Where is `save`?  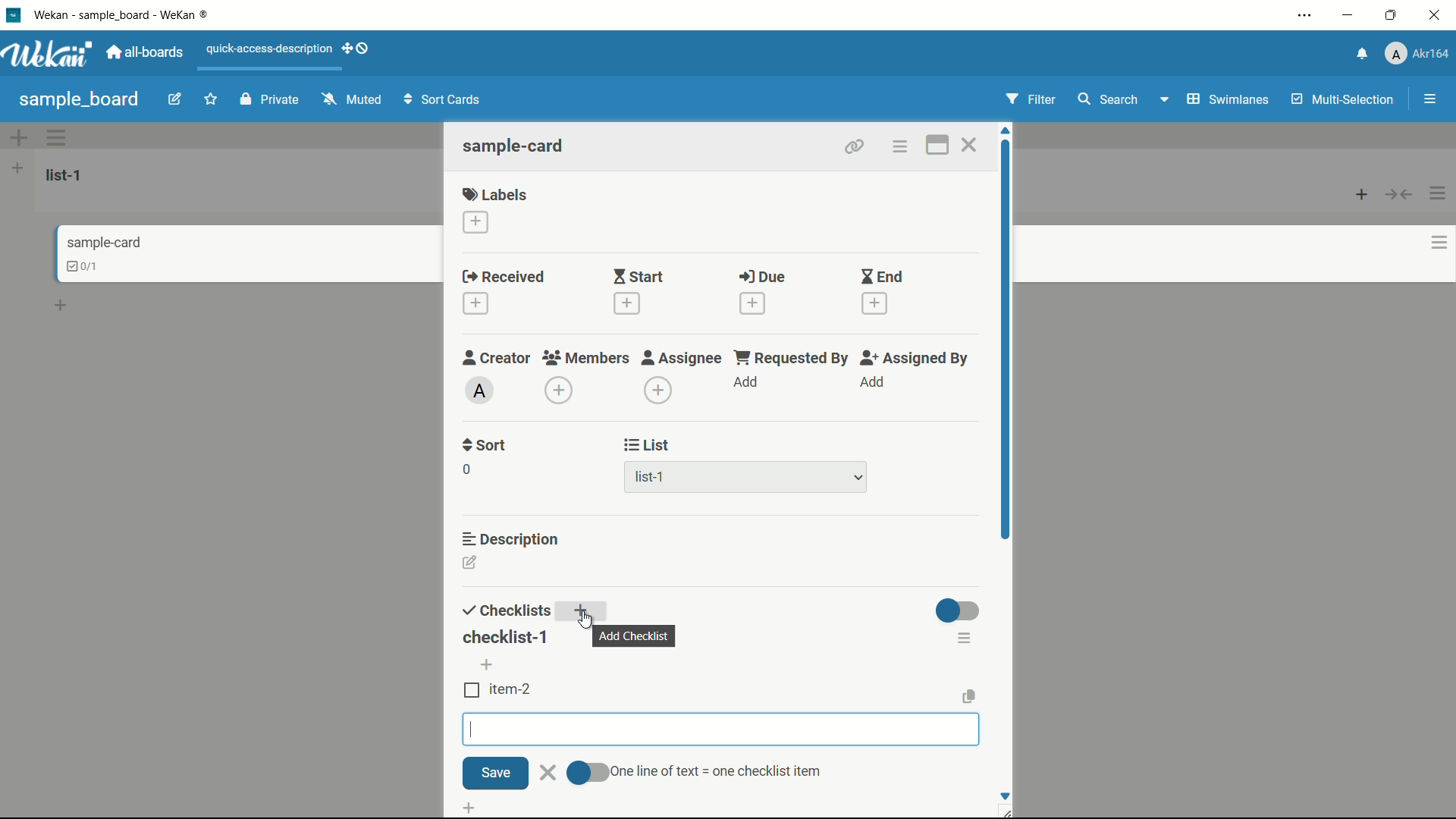
save is located at coordinates (495, 774).